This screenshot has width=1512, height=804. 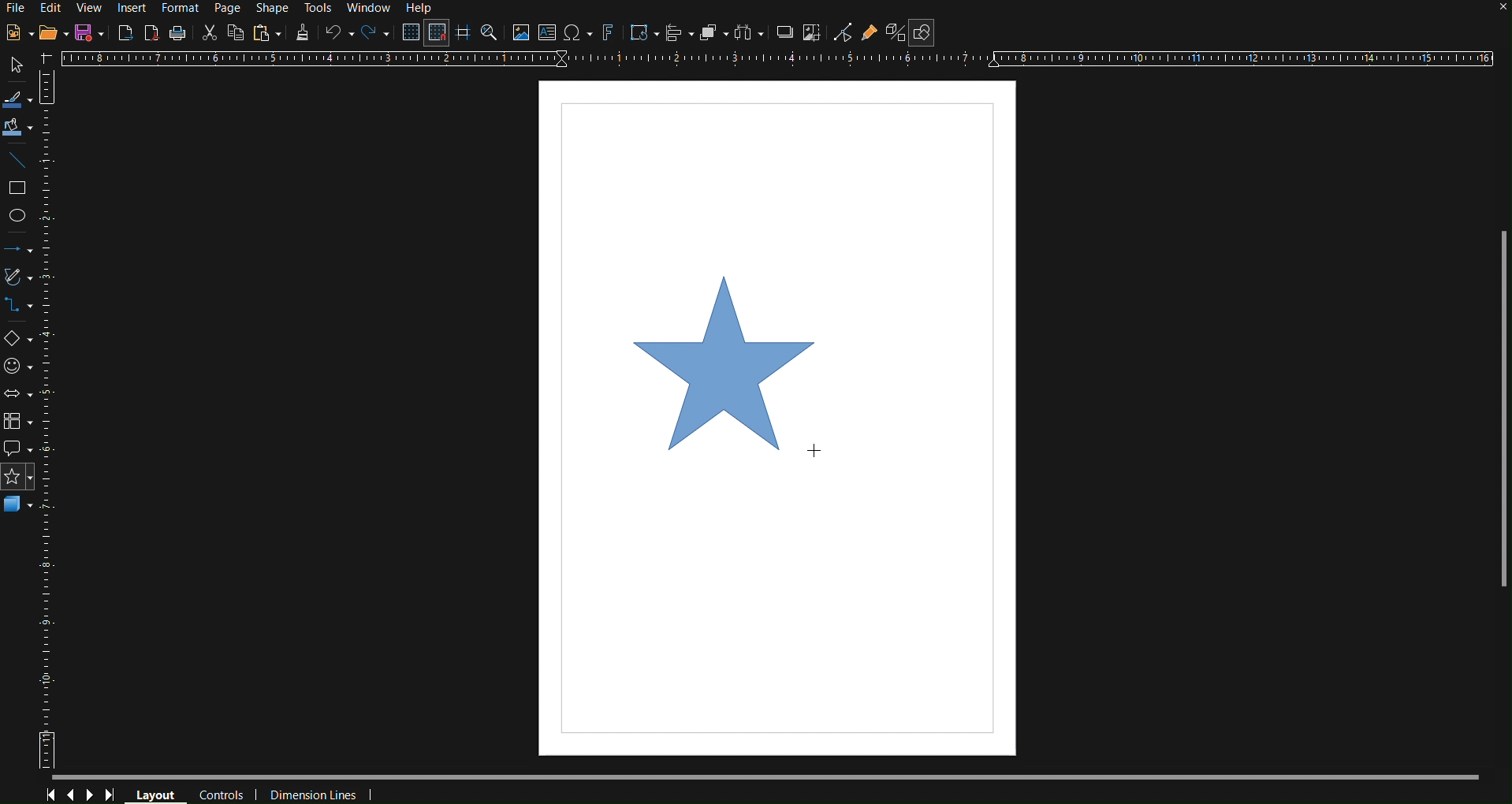 What do you see at coordinates (491, 34) in the screenshot?
I see `Zoom and Pan` at bounding box center [491, 34].